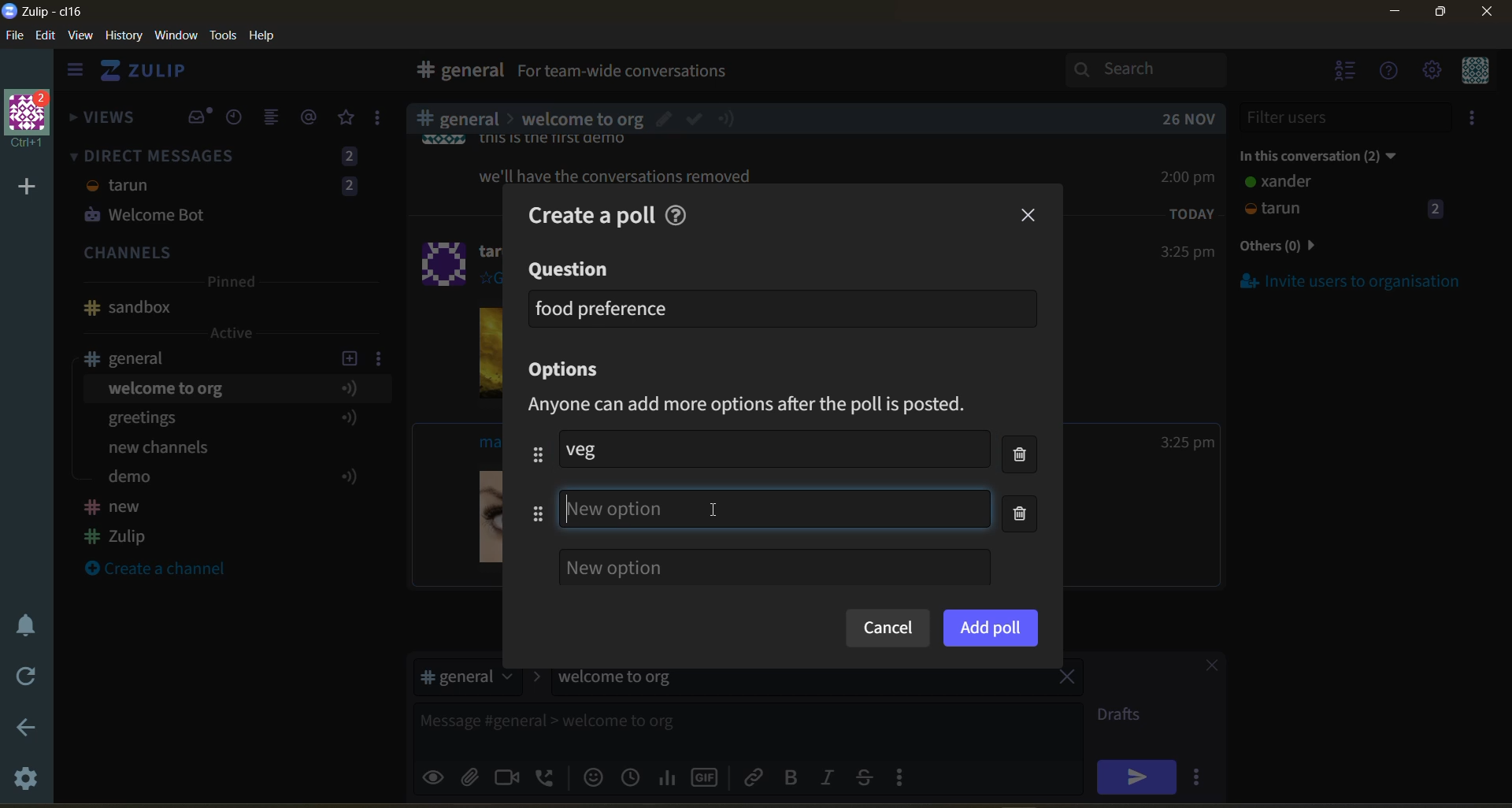  Describe the element at coordinates (1437, 17) in the screenshot. I see `maximize` at that location.